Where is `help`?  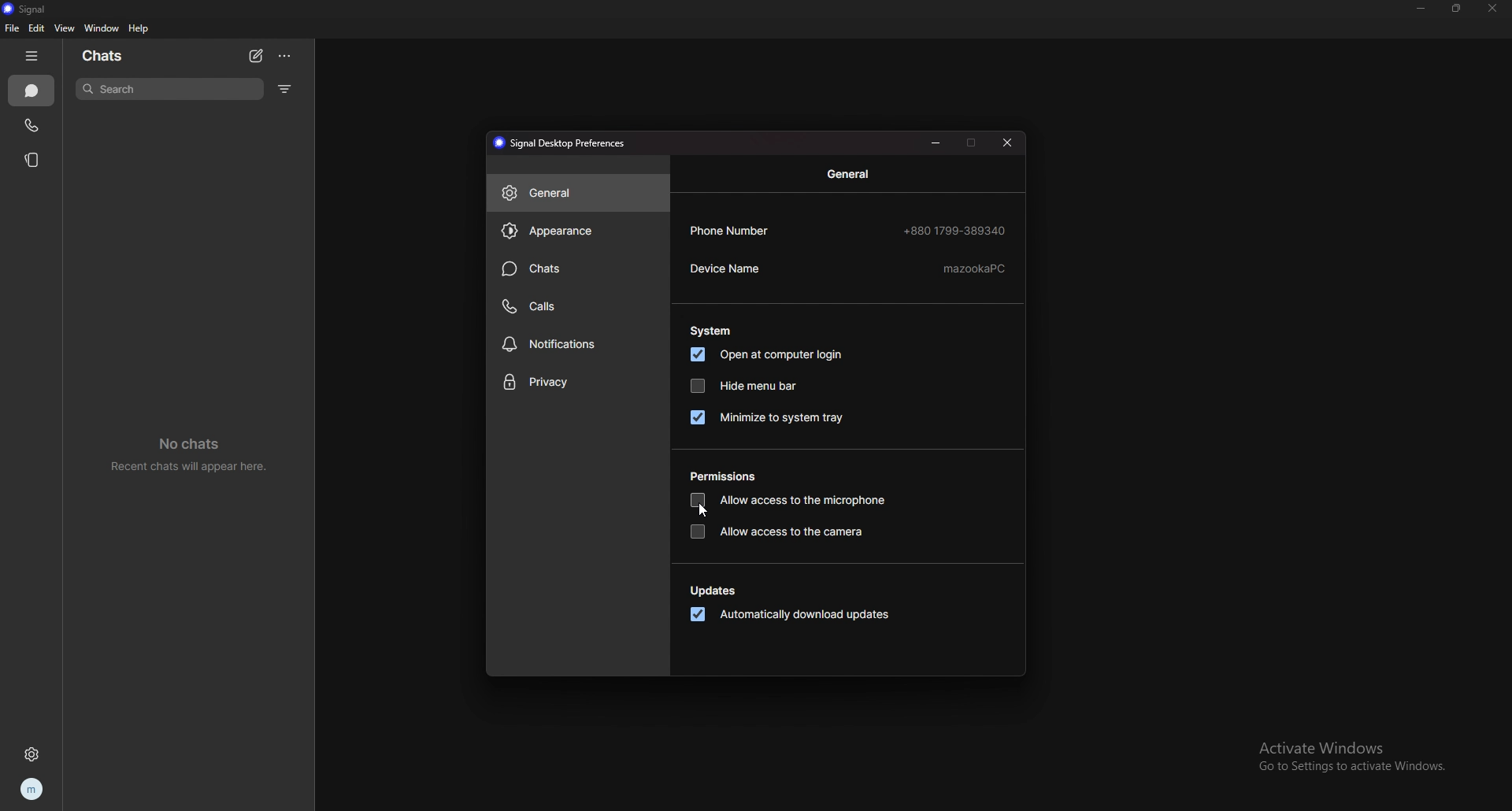 help is located at coordinates (140, 29).